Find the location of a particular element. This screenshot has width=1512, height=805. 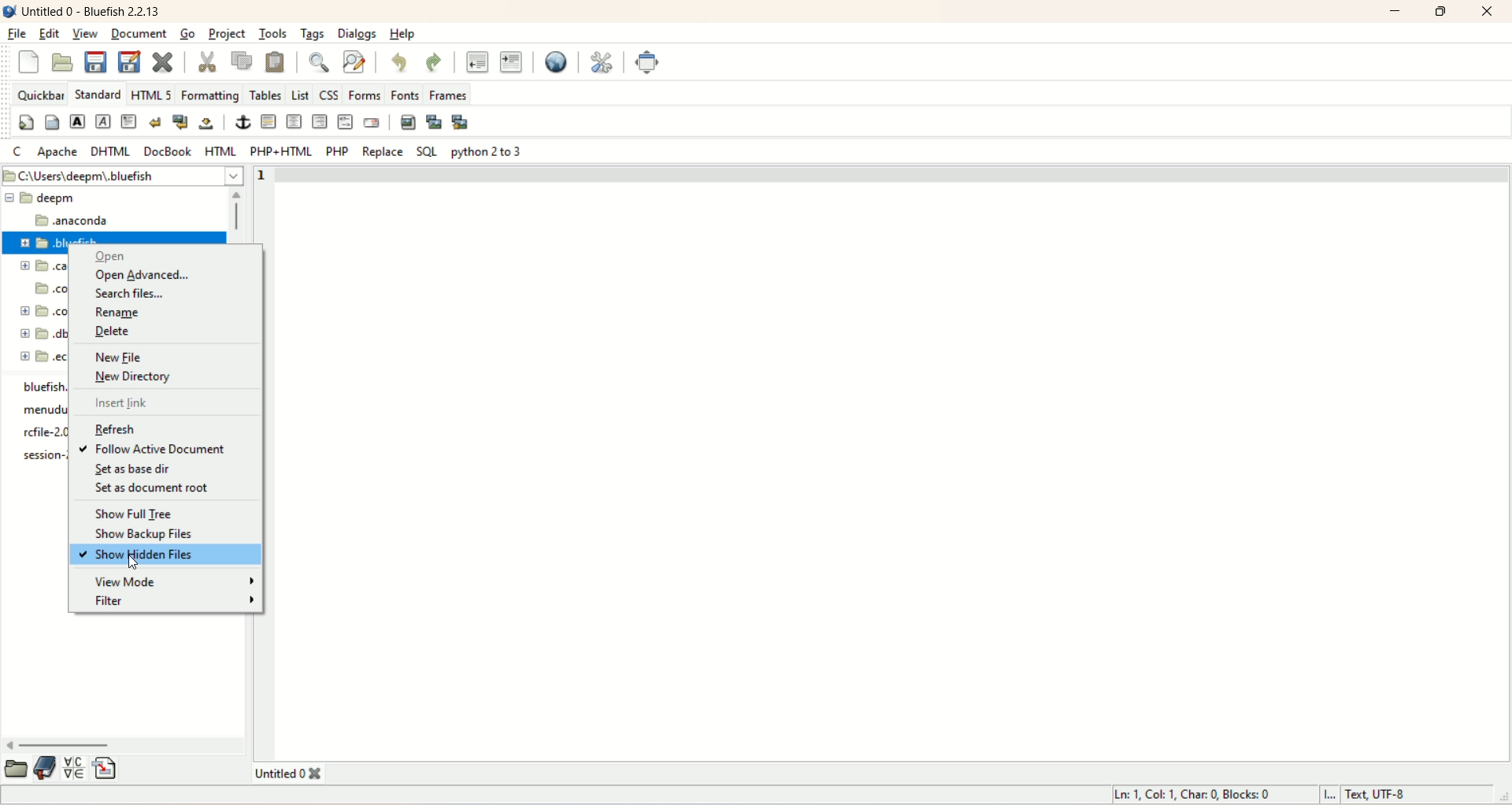

multi-thumbnail is located at coordinates (464, 122).